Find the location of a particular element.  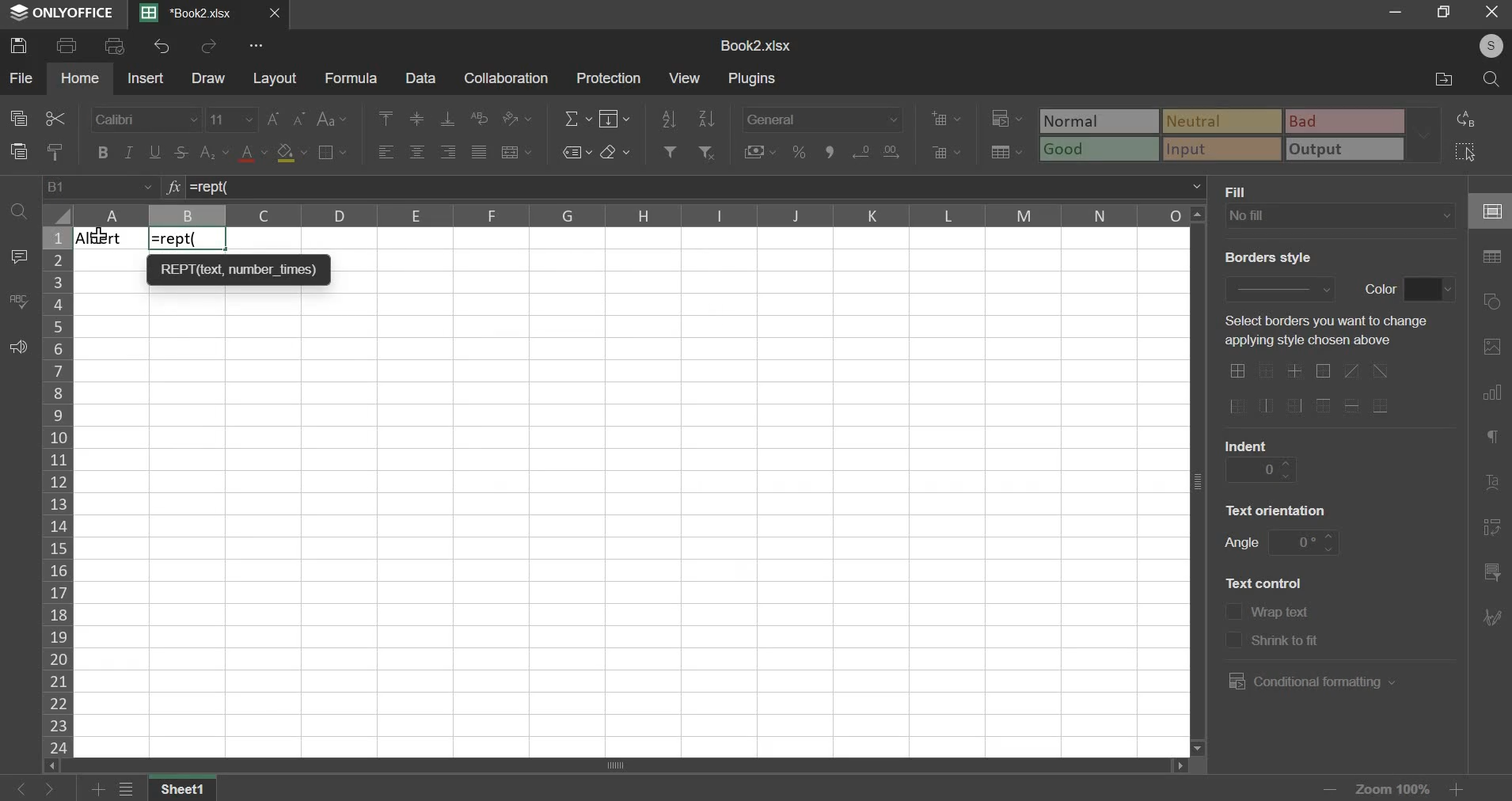

copy style is located at coordinates (54, 151).